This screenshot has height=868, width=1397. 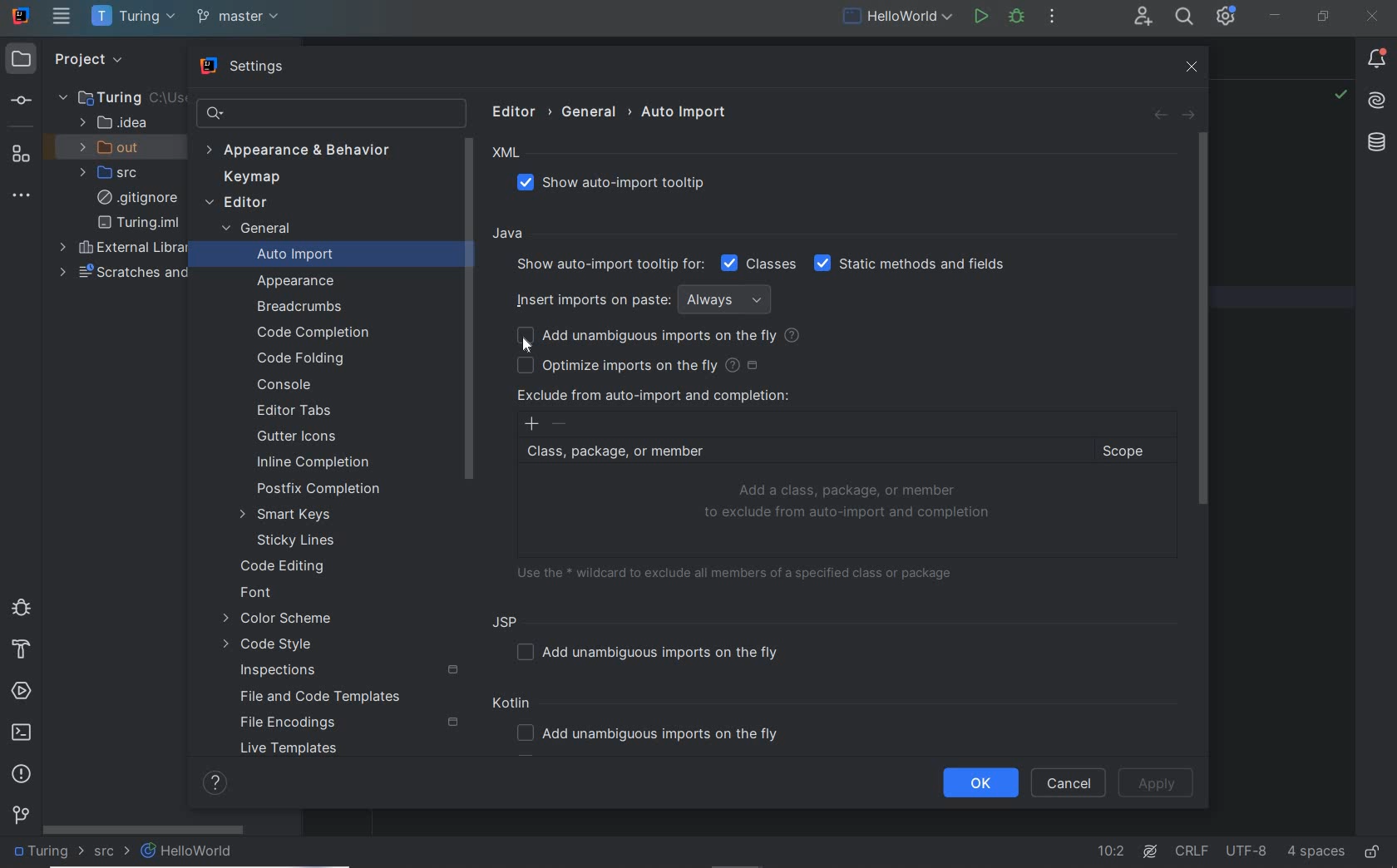 What do you see at coordinates (518, 111) in the screenshot?
I see `editor` at bounding box center [518, 111].